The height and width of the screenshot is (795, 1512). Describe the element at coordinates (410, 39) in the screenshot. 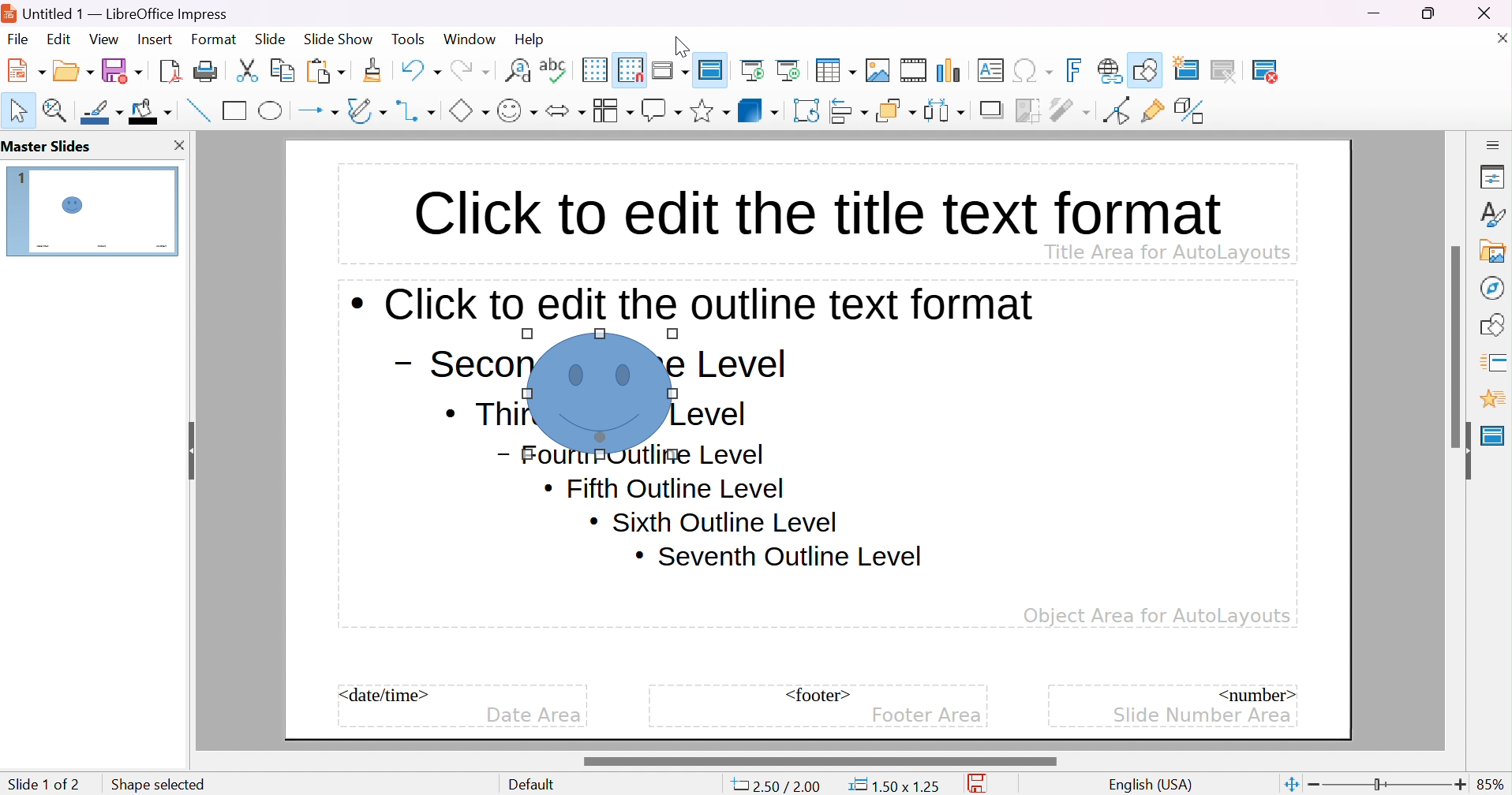

I see `tools` at that location.